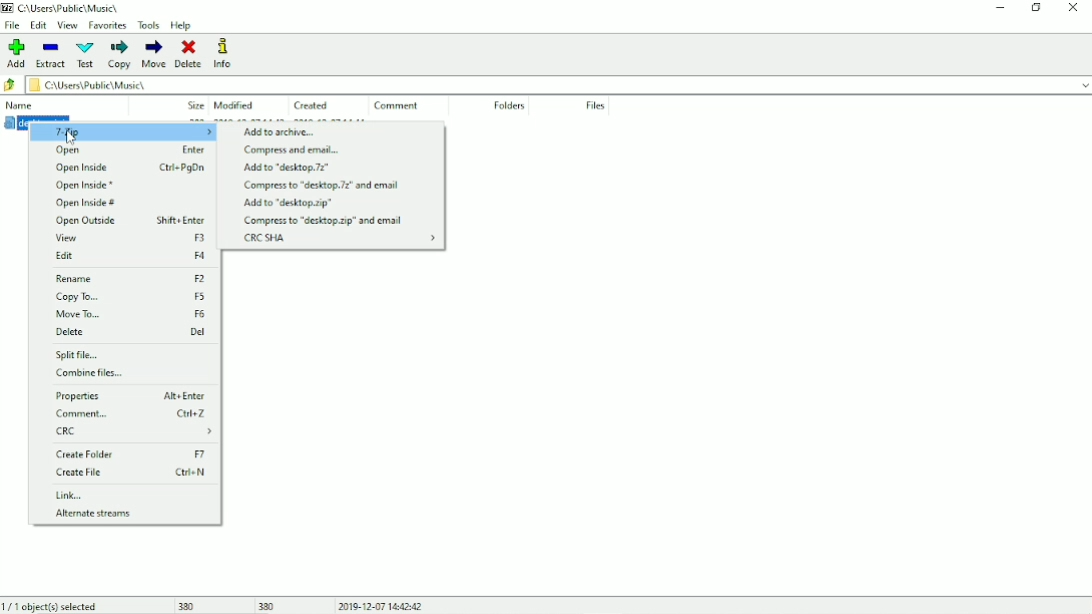  I want to click on Compress to "desktop.zip" and email, so click(327, 221).